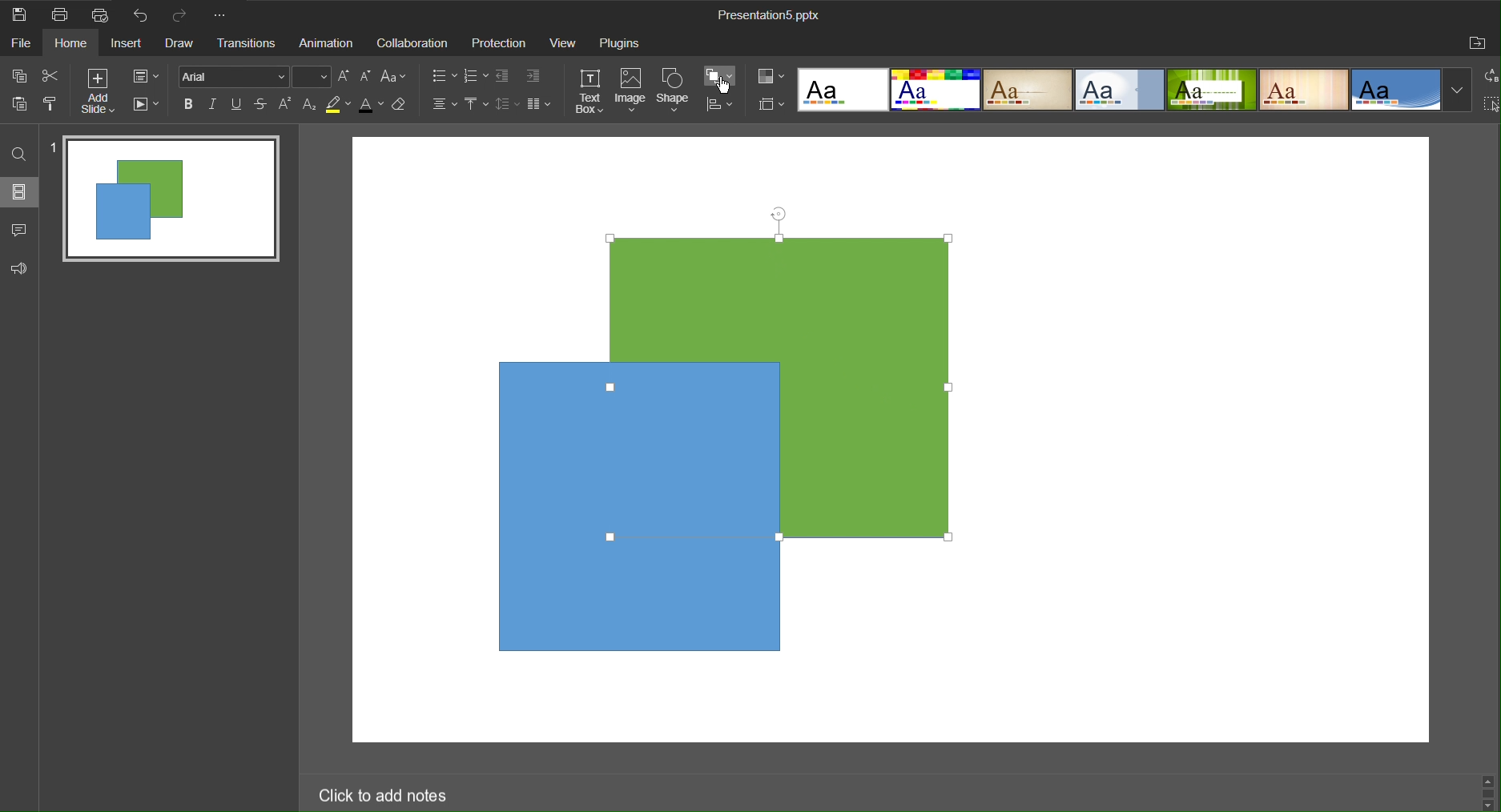  Describe the element at coordinates (147, 106) in the screenshot. I see `Playback` at that location.